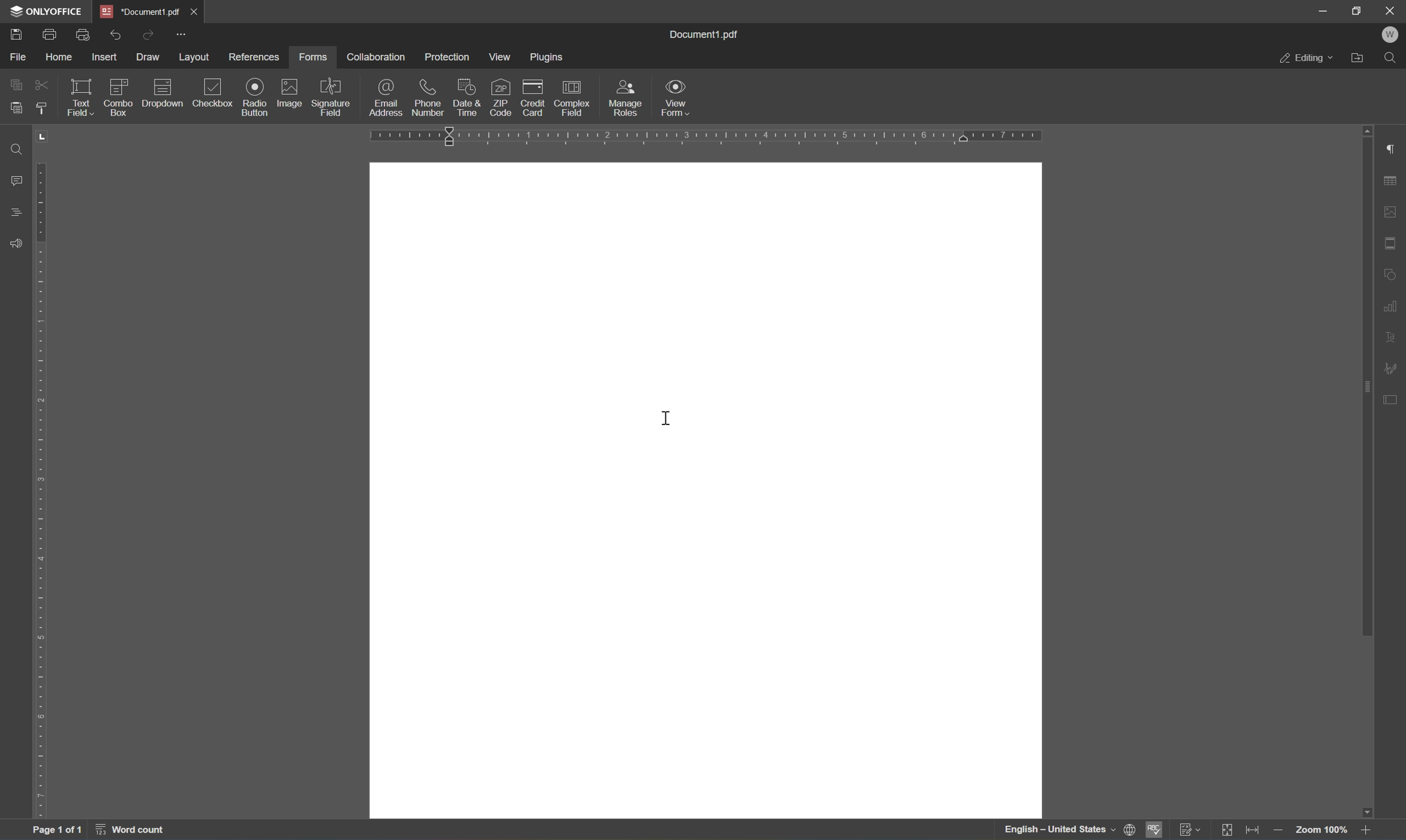 The width and height of the screenshot is (1406, 840). What do you see at coordinates (1392, 276) in the screenshot?
I see `shape settings` at bounding box center [1392, 276].